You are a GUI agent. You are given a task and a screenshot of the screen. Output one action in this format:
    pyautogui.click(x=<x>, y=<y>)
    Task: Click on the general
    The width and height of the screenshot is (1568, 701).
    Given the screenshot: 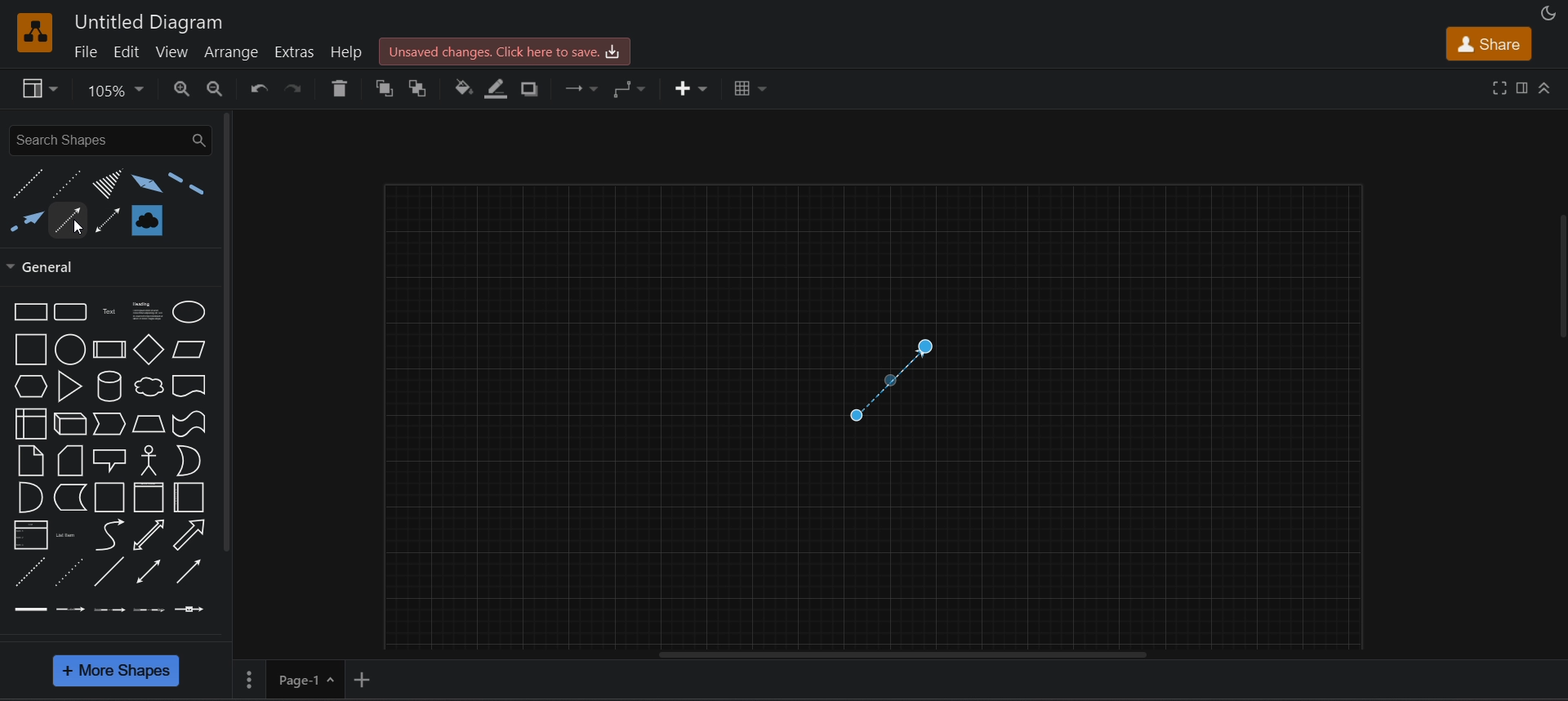 What is the action you would take?
    pyautogui.click(x=50, y=267)
    